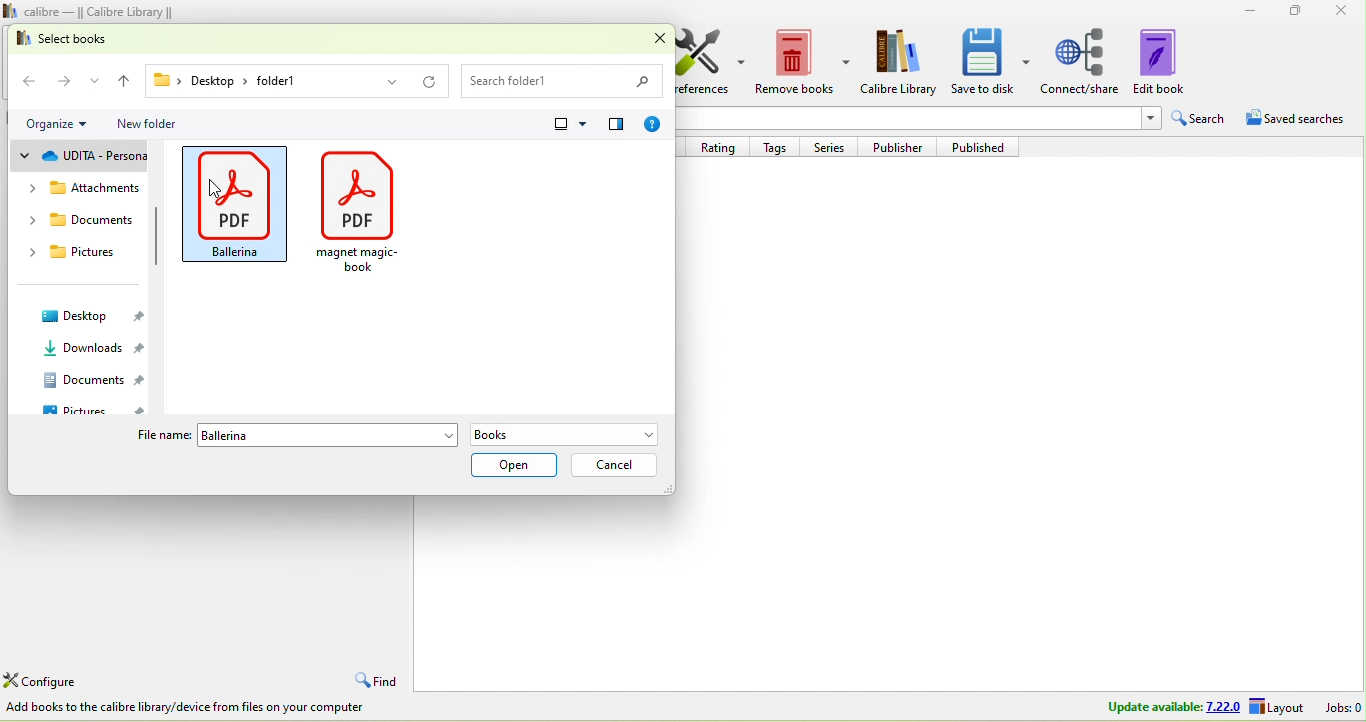 The image size is (1366, 722). Describe the element at coordinates (1200, 116) in the screenshot. I see `search` at that location.